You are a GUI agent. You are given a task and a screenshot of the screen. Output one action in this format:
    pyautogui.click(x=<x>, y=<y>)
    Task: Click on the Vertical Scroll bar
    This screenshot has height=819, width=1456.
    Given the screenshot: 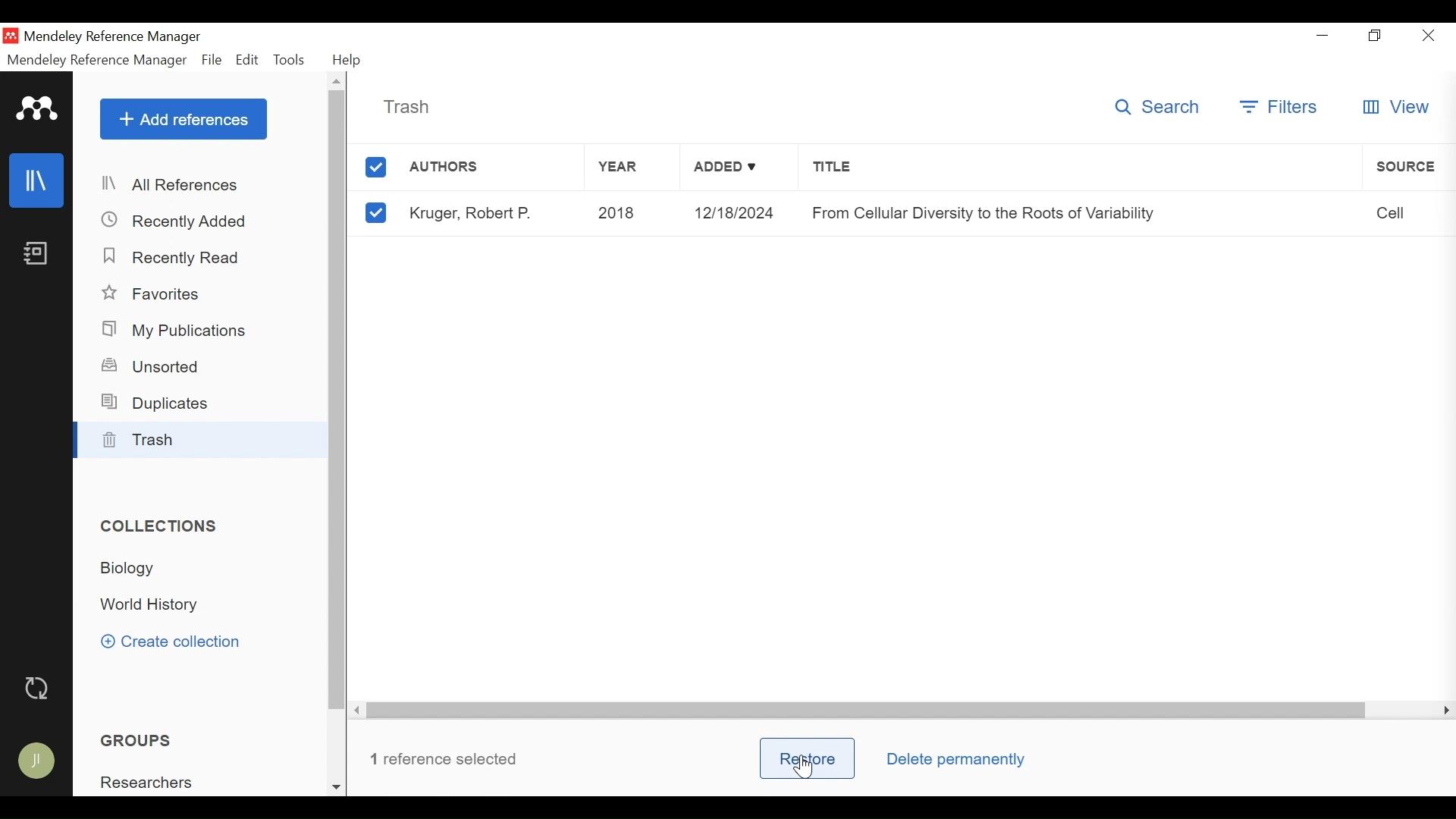 What is the action you would take?
    pyautogui.click(x=338, y=403)
    